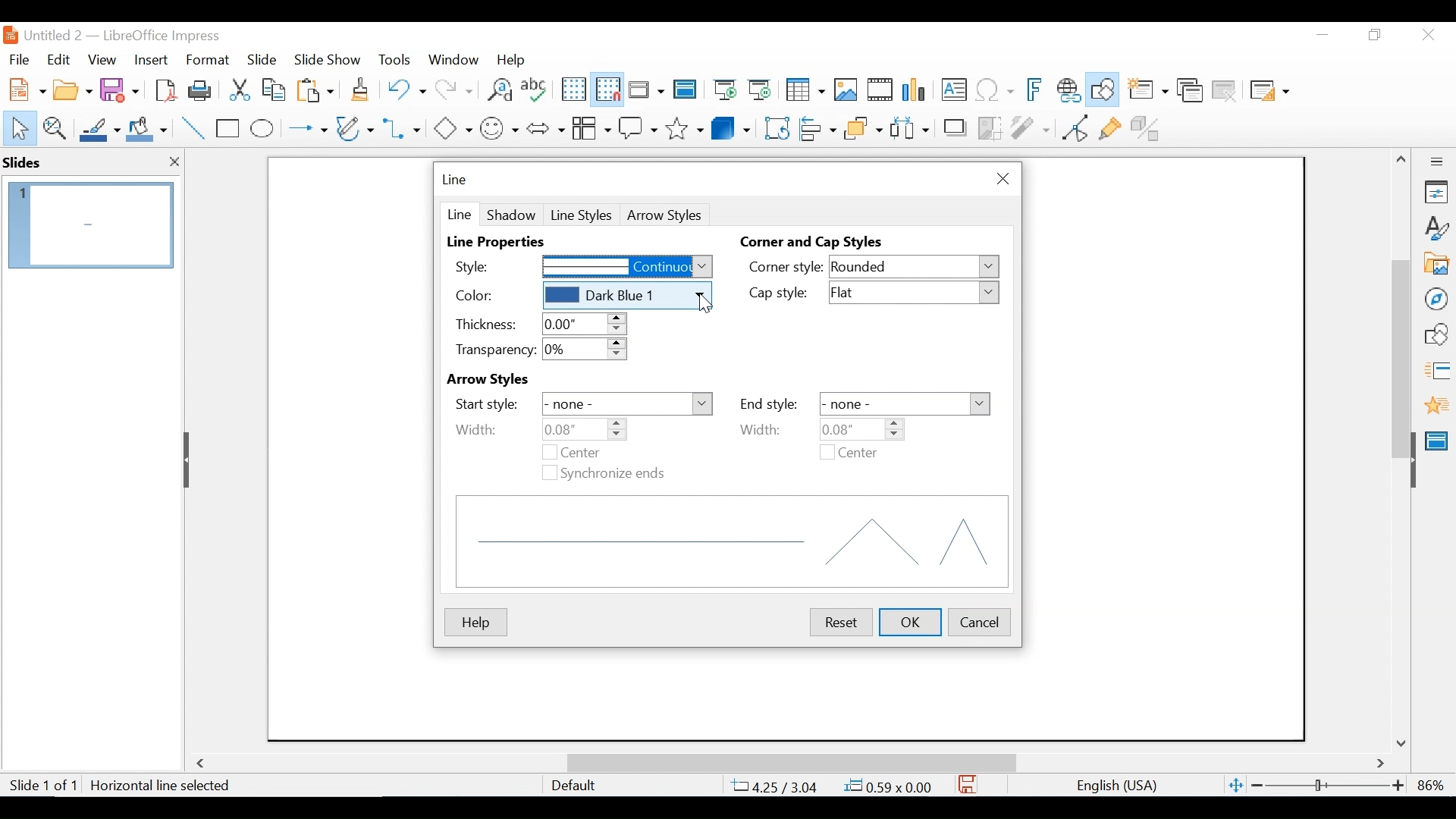 This screenshot has height=819, width=1456. What do you see at coordinates (784, 294) in the screenshot?
I see `Cap Style` at bounding box center [784, 294].